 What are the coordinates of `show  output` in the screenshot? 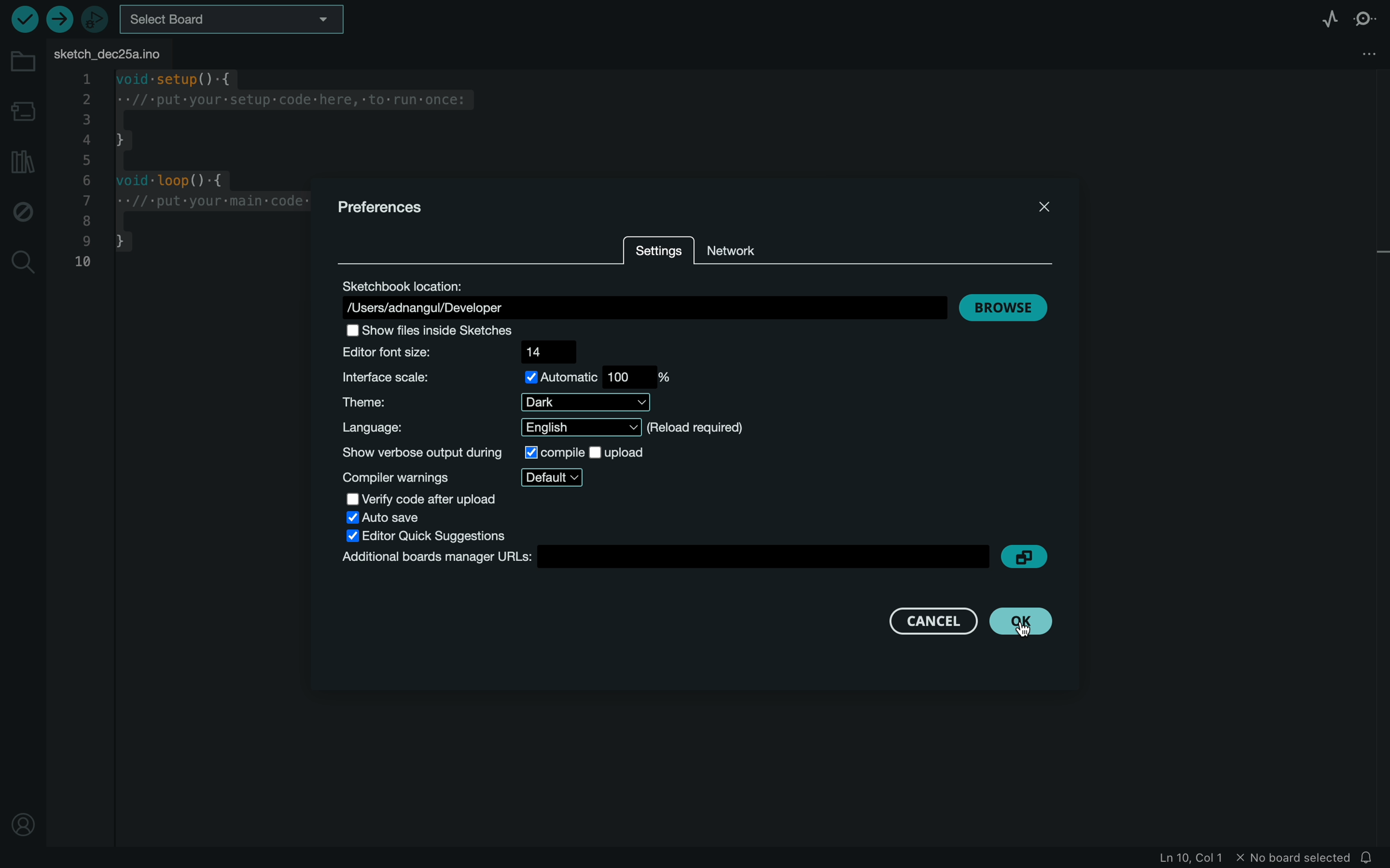 It's located at (421, 451).